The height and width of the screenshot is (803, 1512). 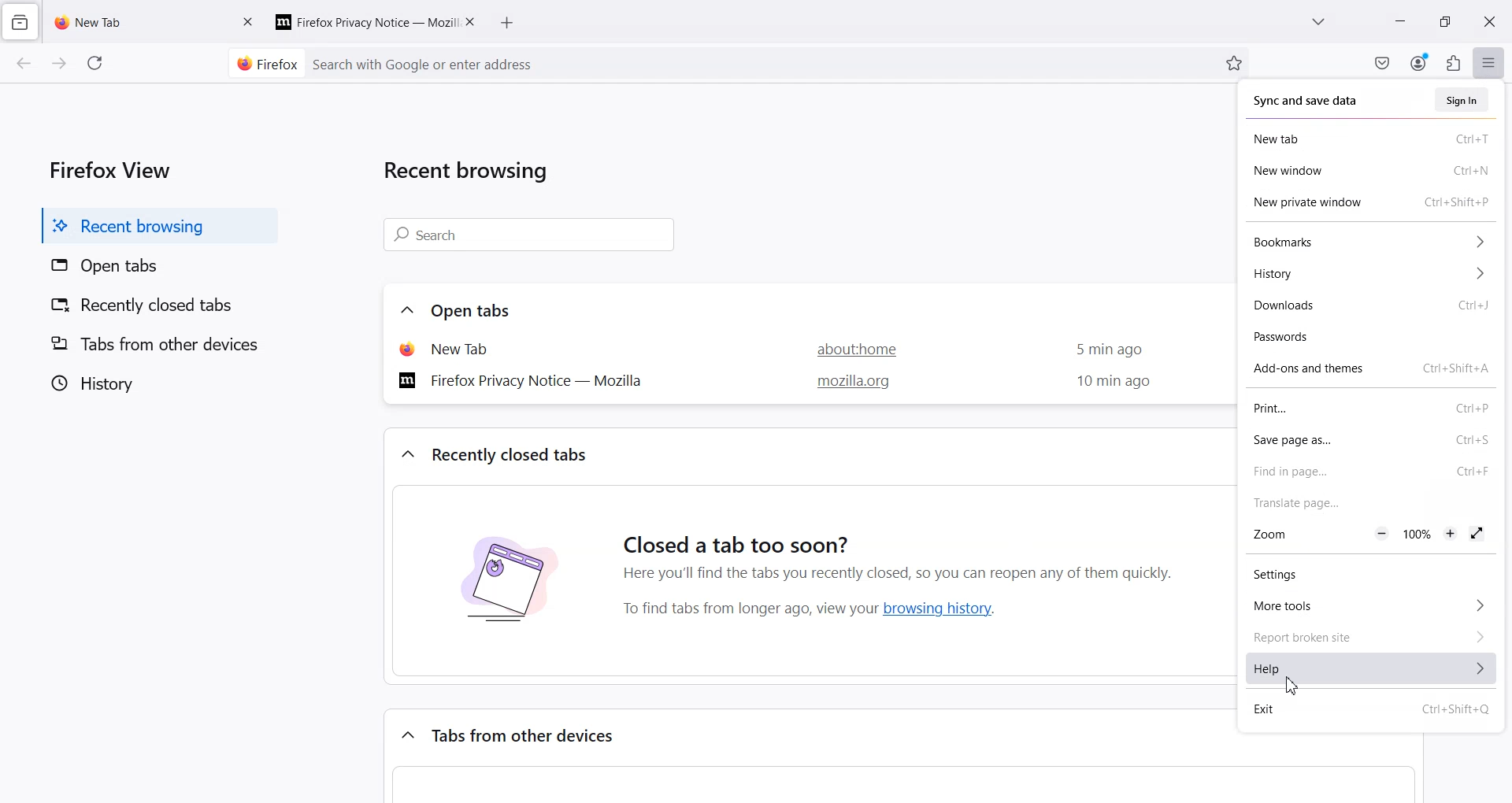 What do you see at coordinates (507, 588) in the screenshot?
I see `image` at bounding box center [507, 588].